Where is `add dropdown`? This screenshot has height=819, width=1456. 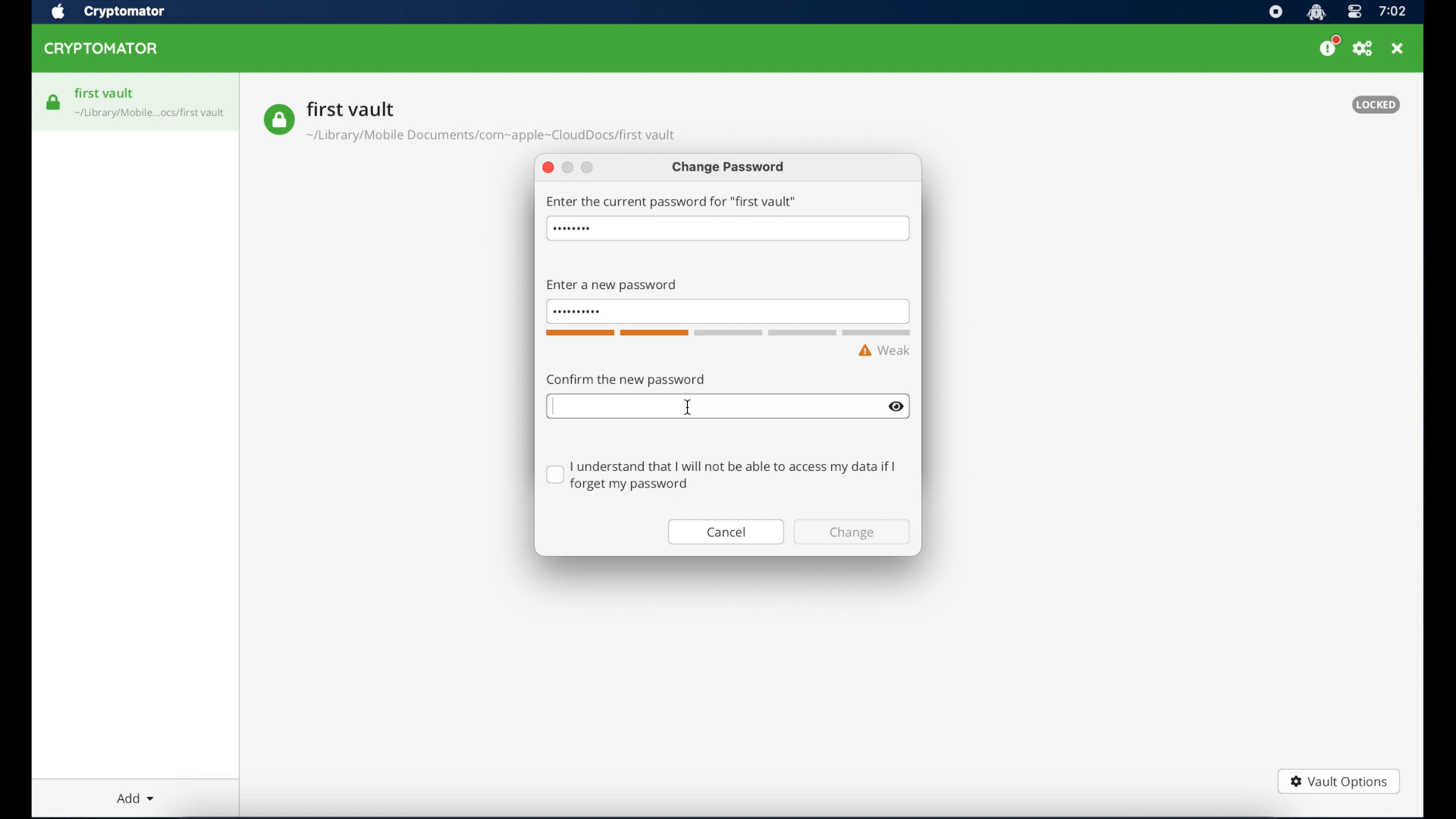 add dropdown is located at coordinates (136, 798).